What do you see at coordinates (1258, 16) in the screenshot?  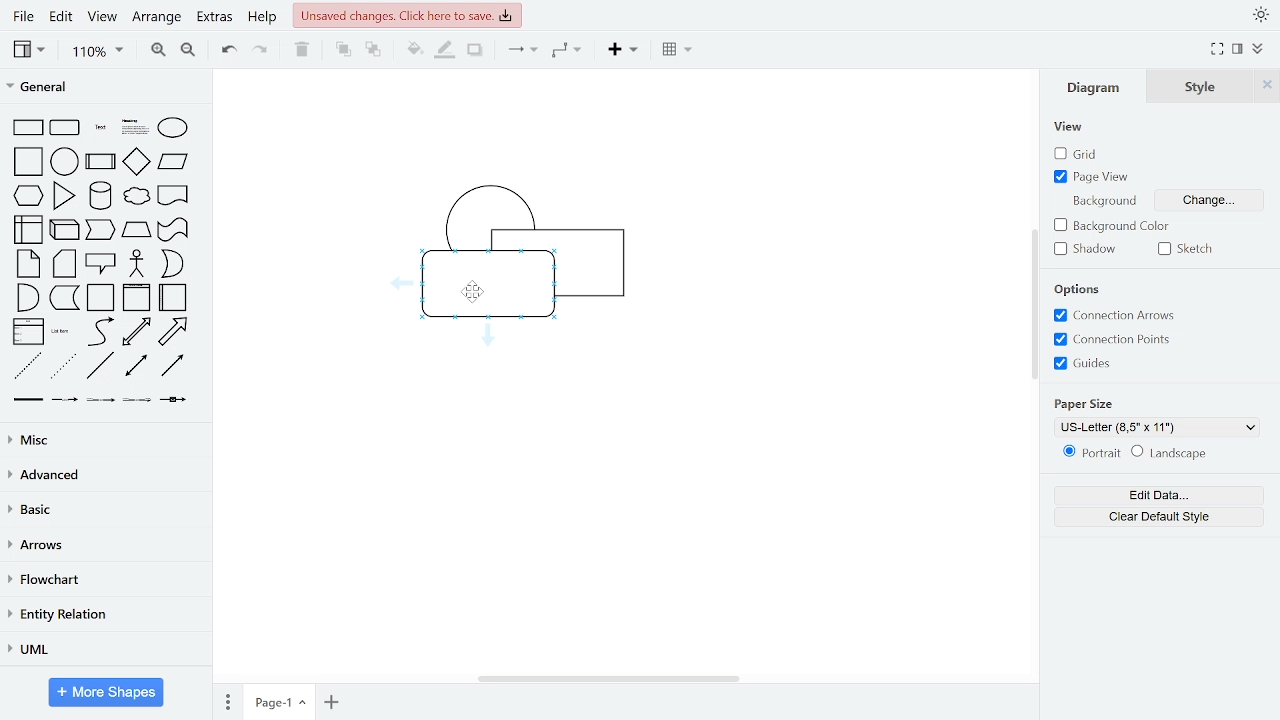 I see `appearance` at bounding box center [1258, 16].